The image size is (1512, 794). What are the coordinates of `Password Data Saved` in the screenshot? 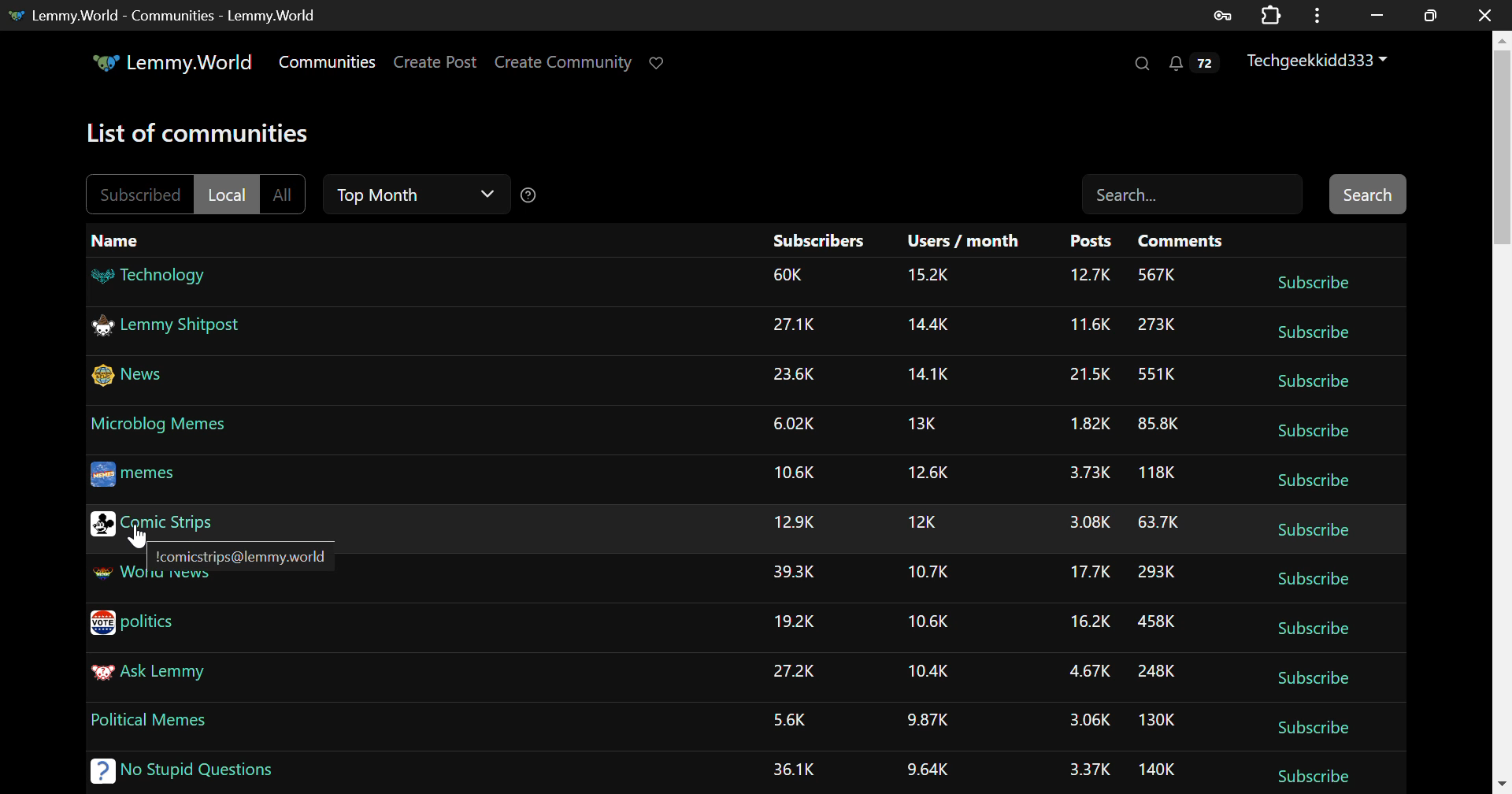 It's located at (1224, 14).